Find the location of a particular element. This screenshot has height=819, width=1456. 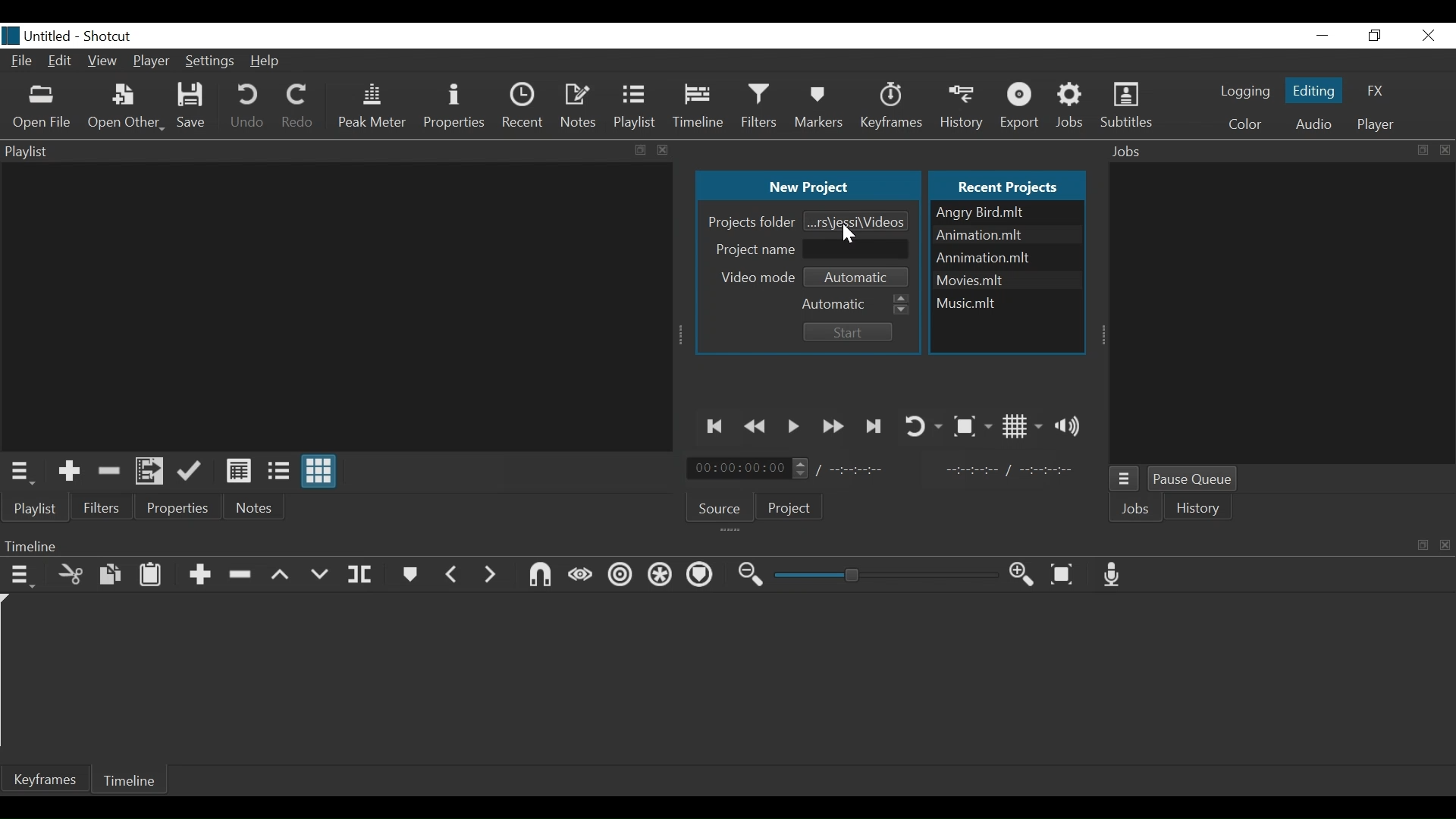

Filters is located at coordinates (762, 105).